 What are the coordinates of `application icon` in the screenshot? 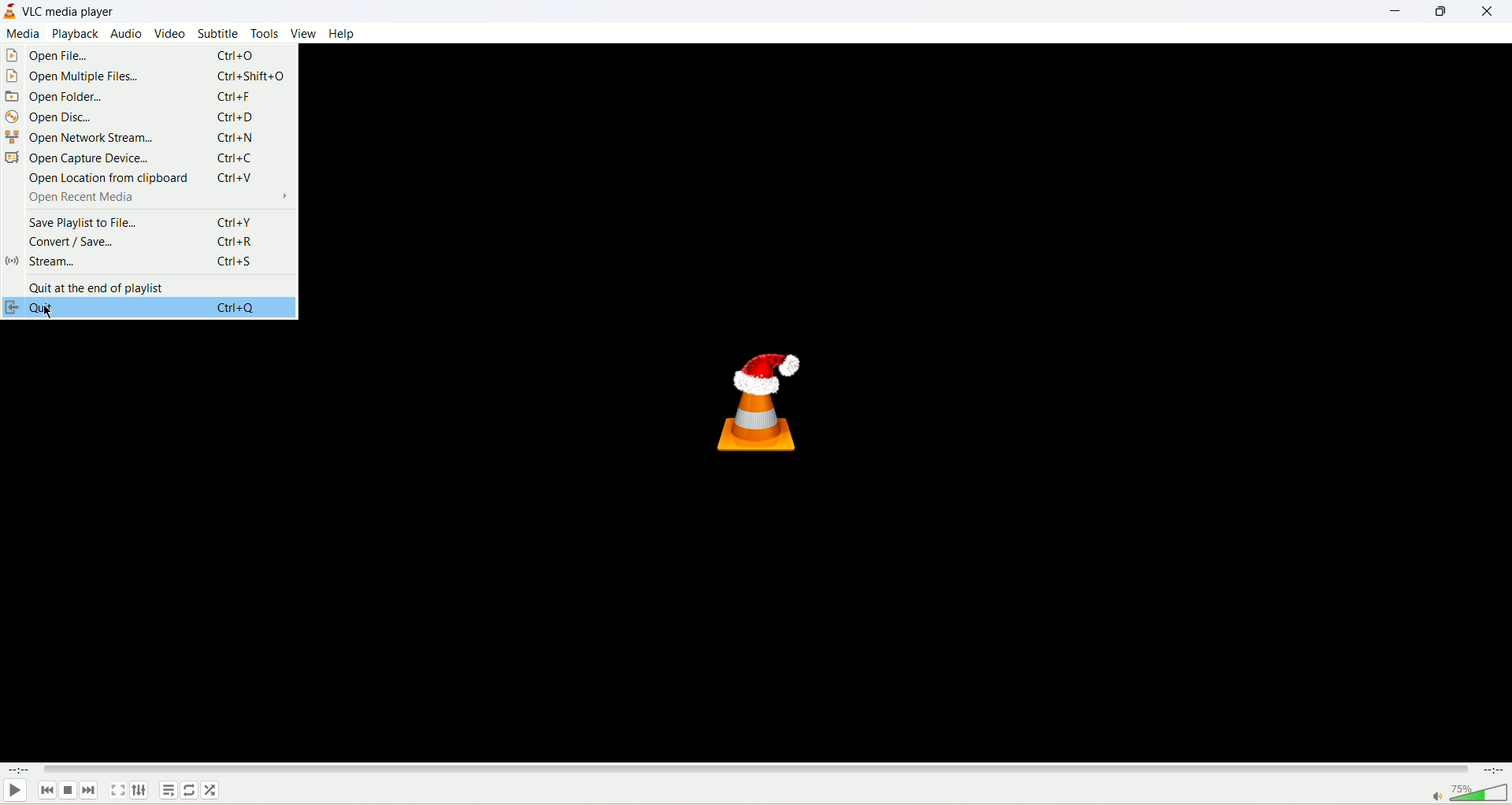 It's located at (763, 397).